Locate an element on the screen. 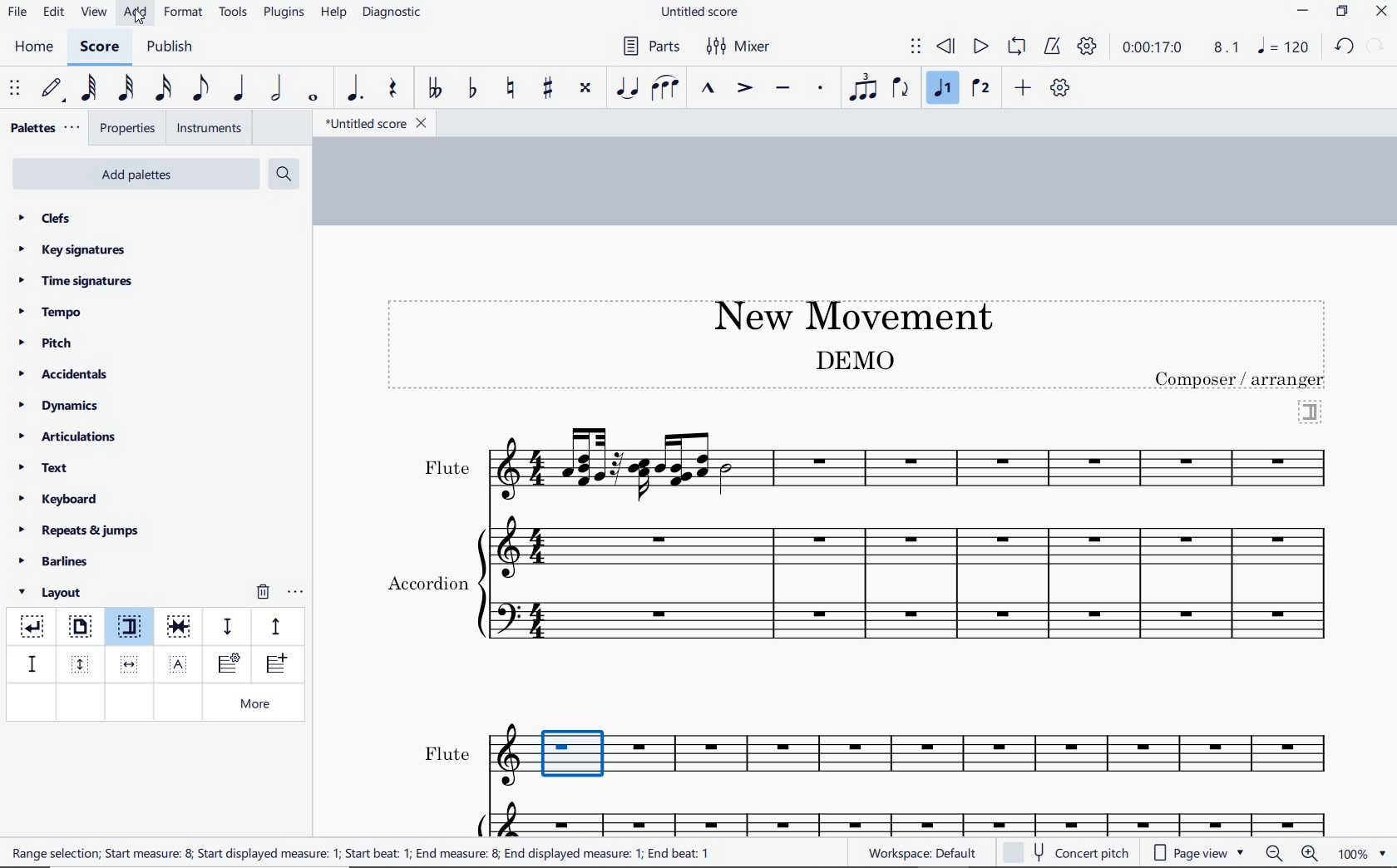 Image resolution: width=1397 pixels, height=868 pixels. Parts is located at coordinates (648, 47).